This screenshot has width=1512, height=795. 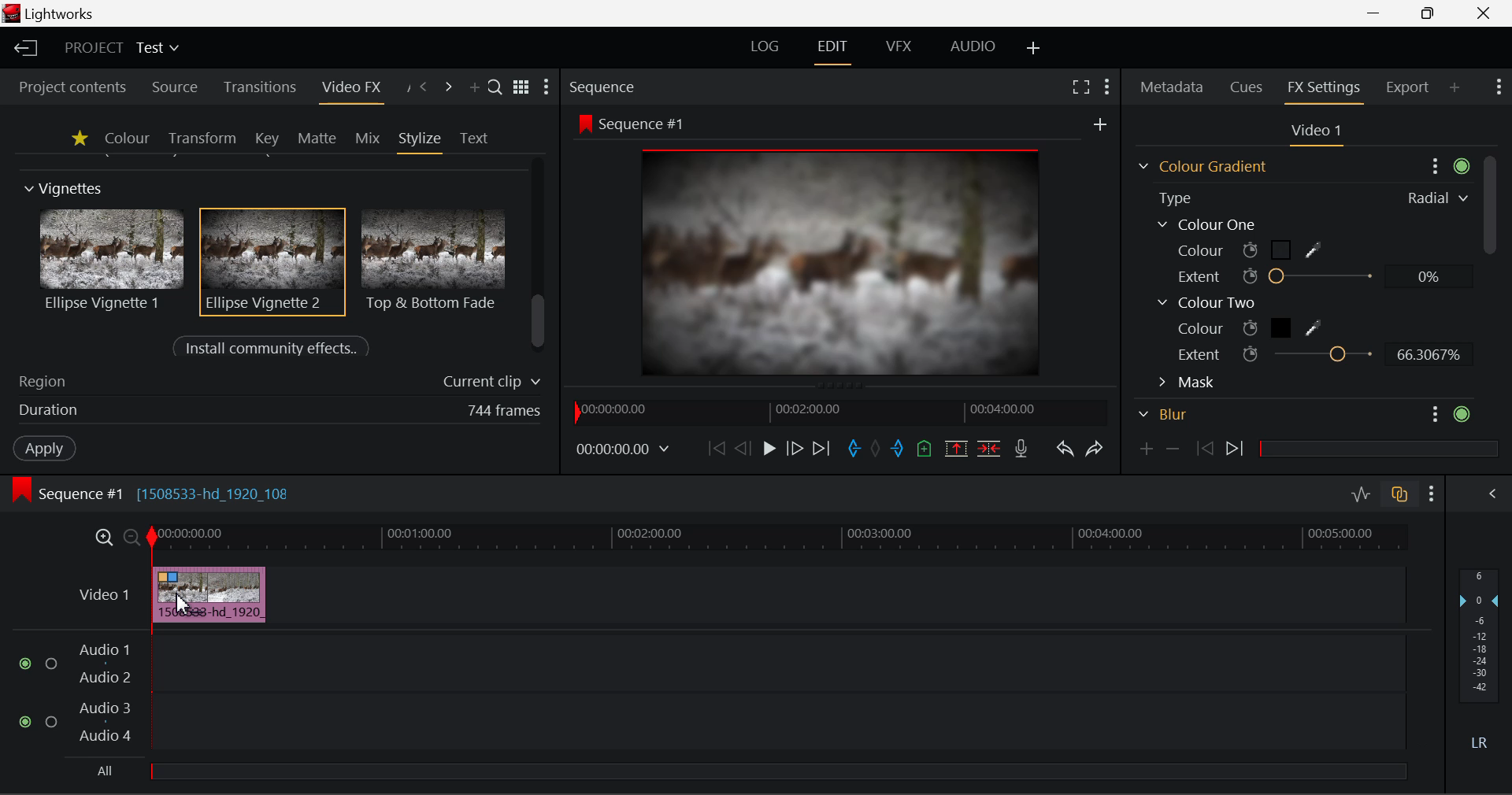 What do you see at coordinates (54, 14) in the screenshot?
I see `Window Title` at bounding box center [54, 14].